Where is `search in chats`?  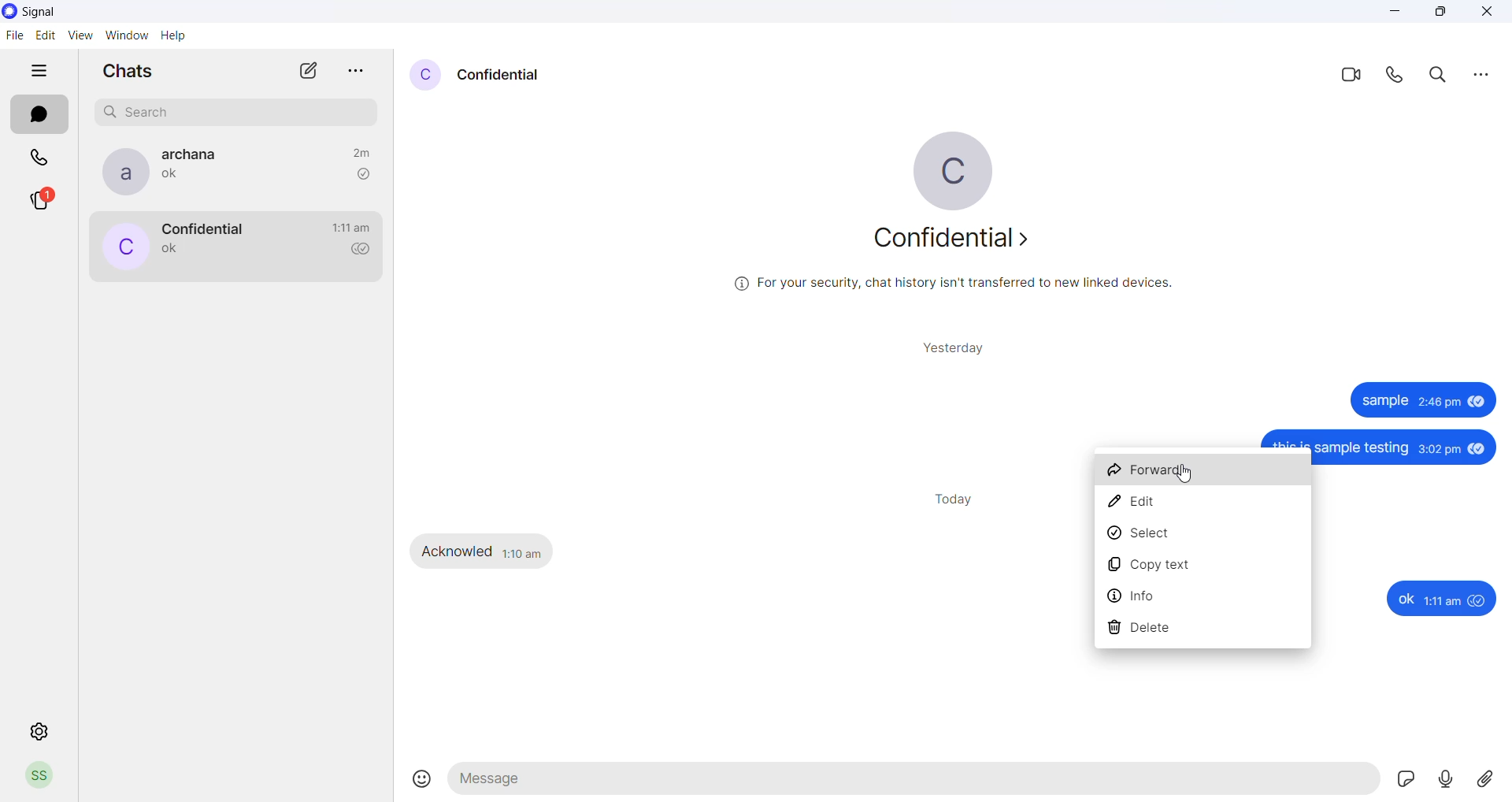
search in chats is located at coordinates (1442, 75).